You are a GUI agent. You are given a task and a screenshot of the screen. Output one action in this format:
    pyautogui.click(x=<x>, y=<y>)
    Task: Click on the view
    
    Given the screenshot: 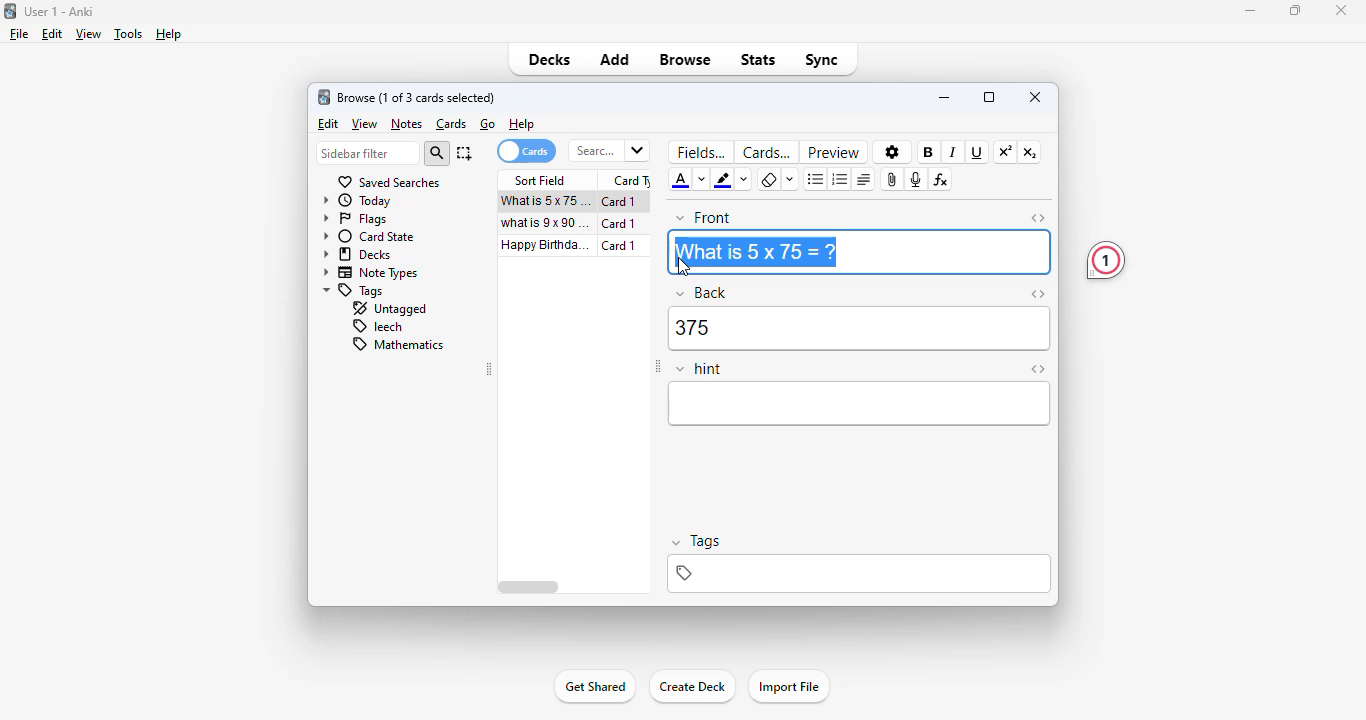 What is the action you would take?
    pyautogui.click(x=90, y=34)
    